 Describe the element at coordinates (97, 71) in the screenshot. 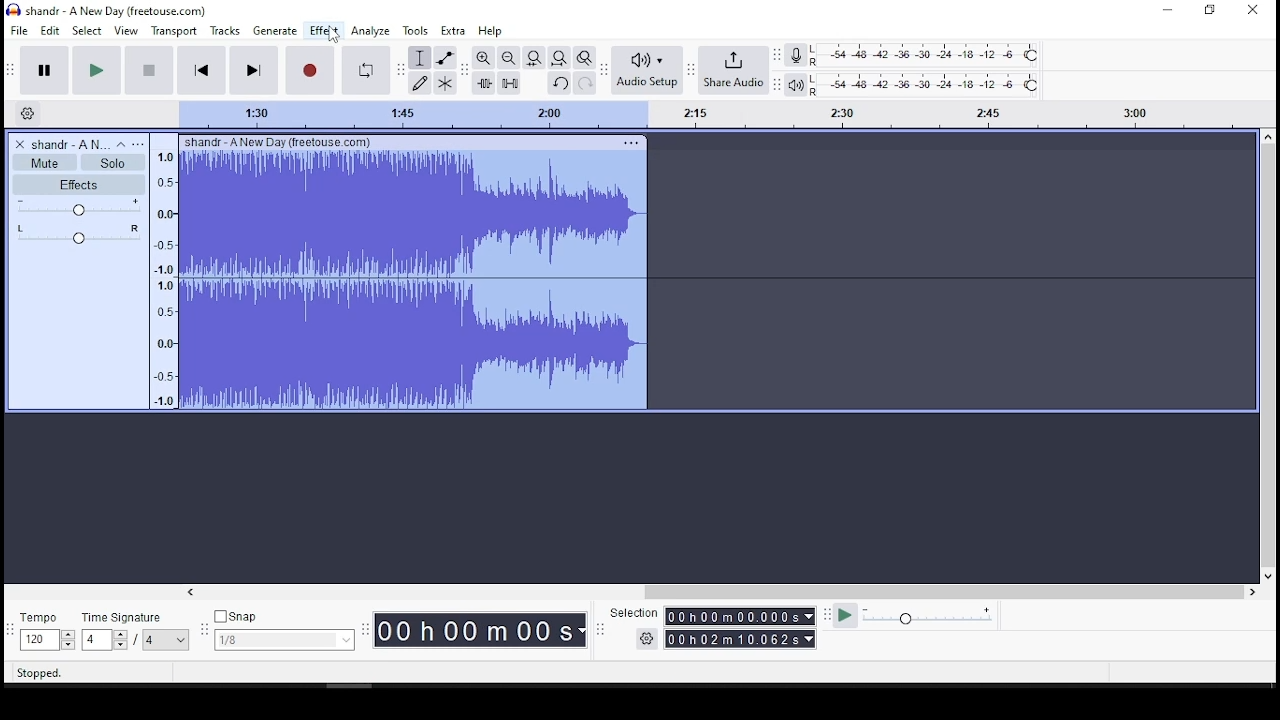

I see `play` at that location.